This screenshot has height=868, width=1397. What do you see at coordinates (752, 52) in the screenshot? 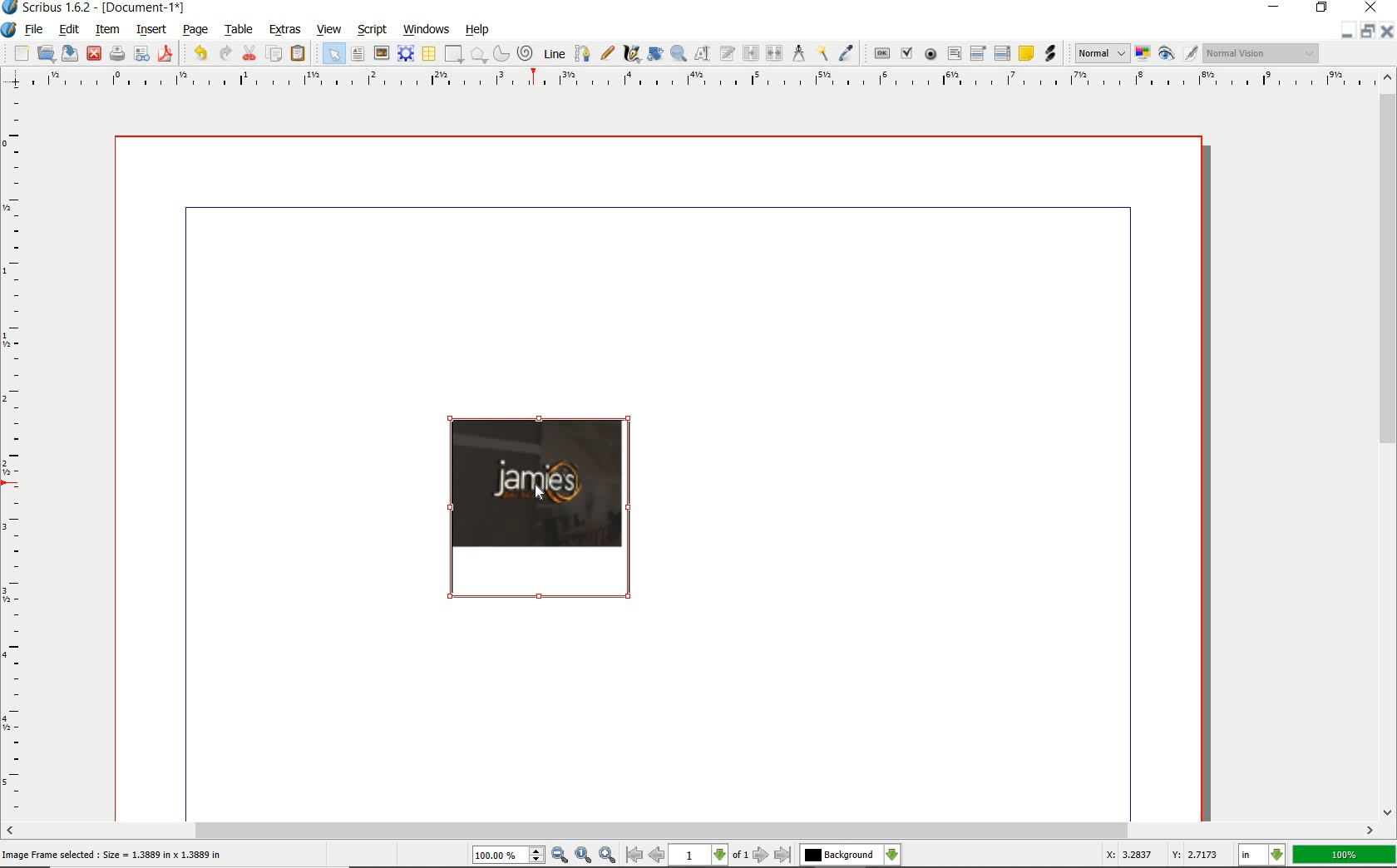
I see `link text frames` at bounding box center [752, 52].